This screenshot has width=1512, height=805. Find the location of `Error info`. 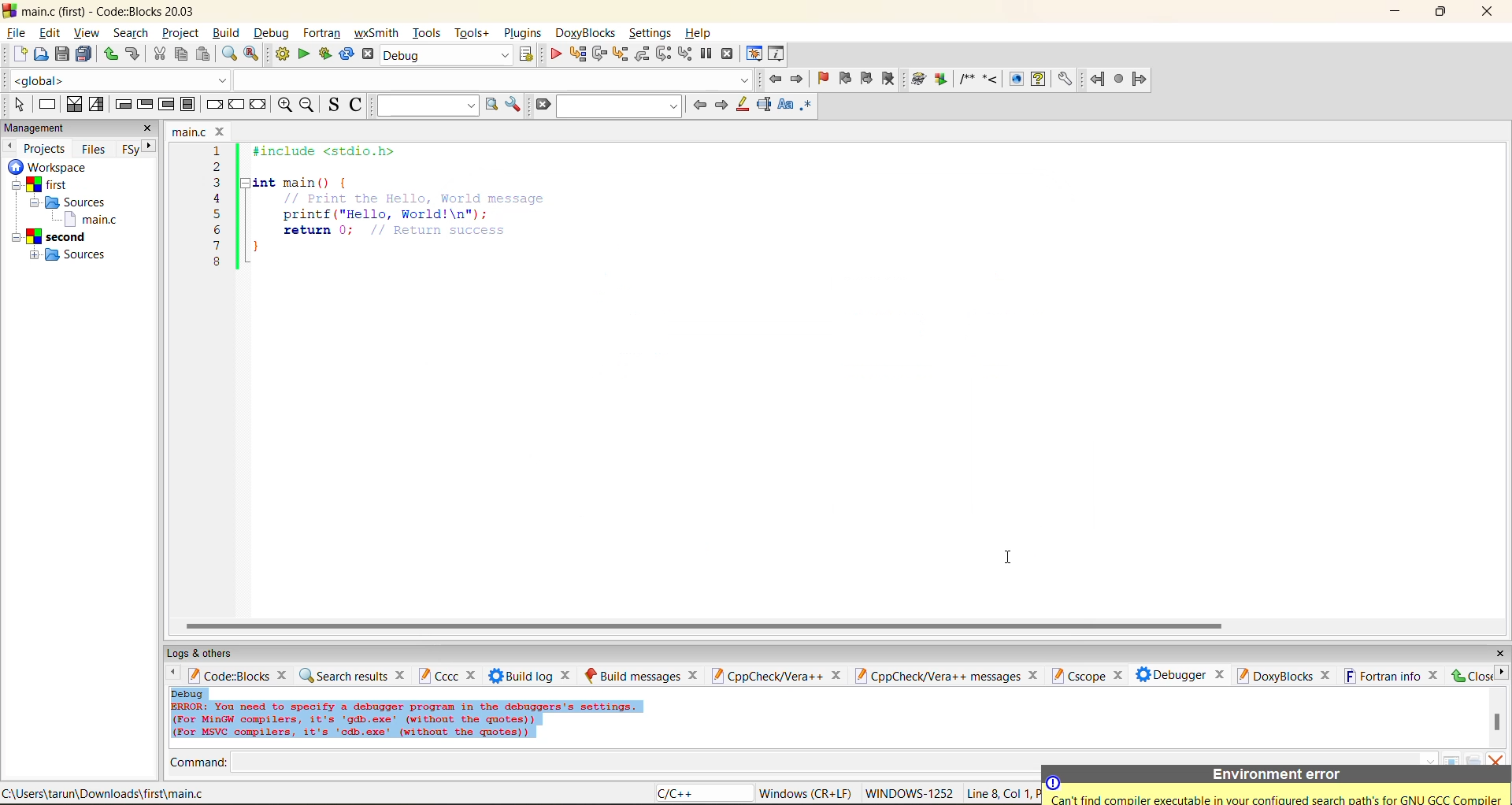

Error info is located at coordinates (406, 721).